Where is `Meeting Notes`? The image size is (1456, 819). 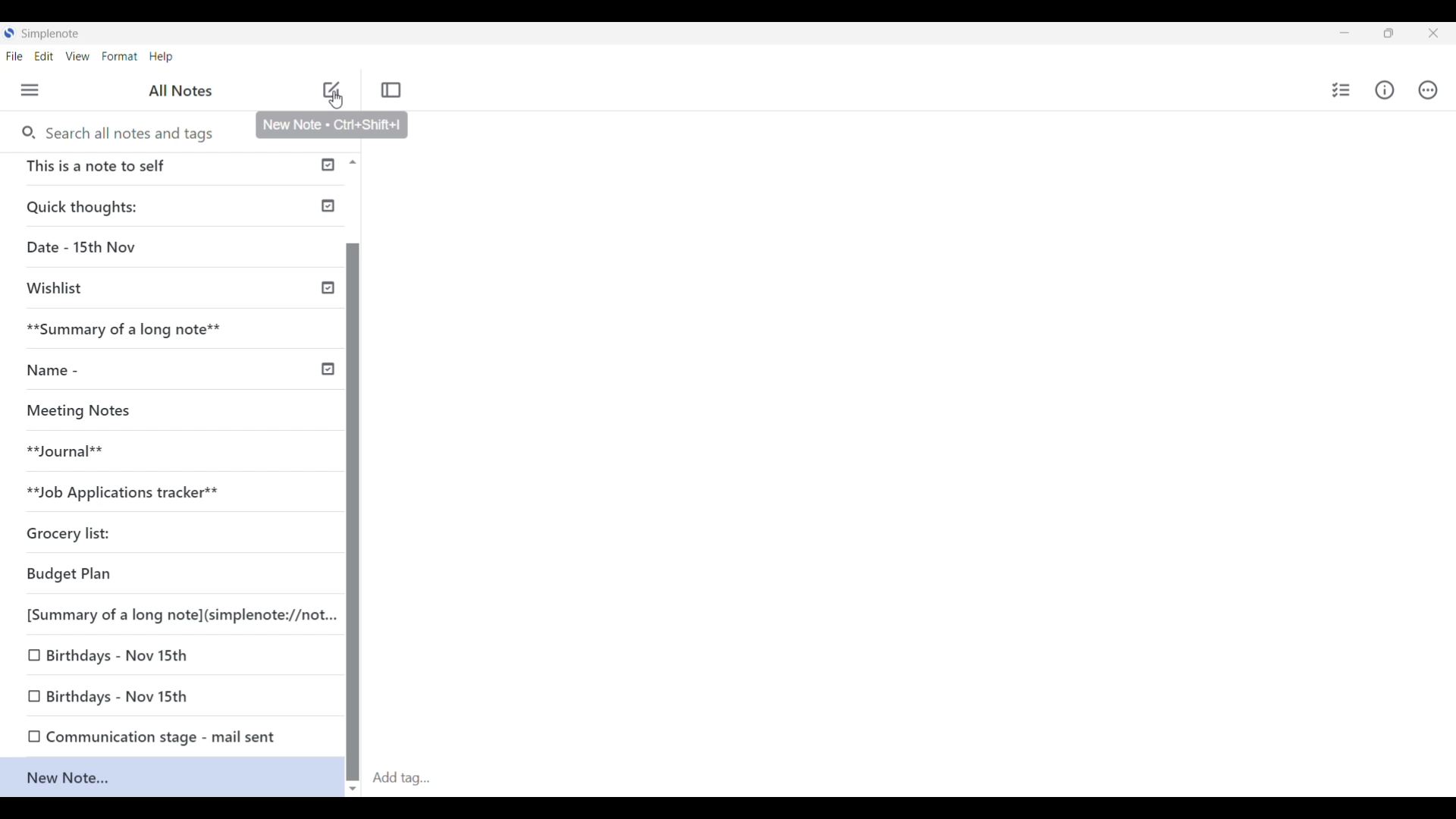
Meeting Notes is located at coordinates (85, 409).